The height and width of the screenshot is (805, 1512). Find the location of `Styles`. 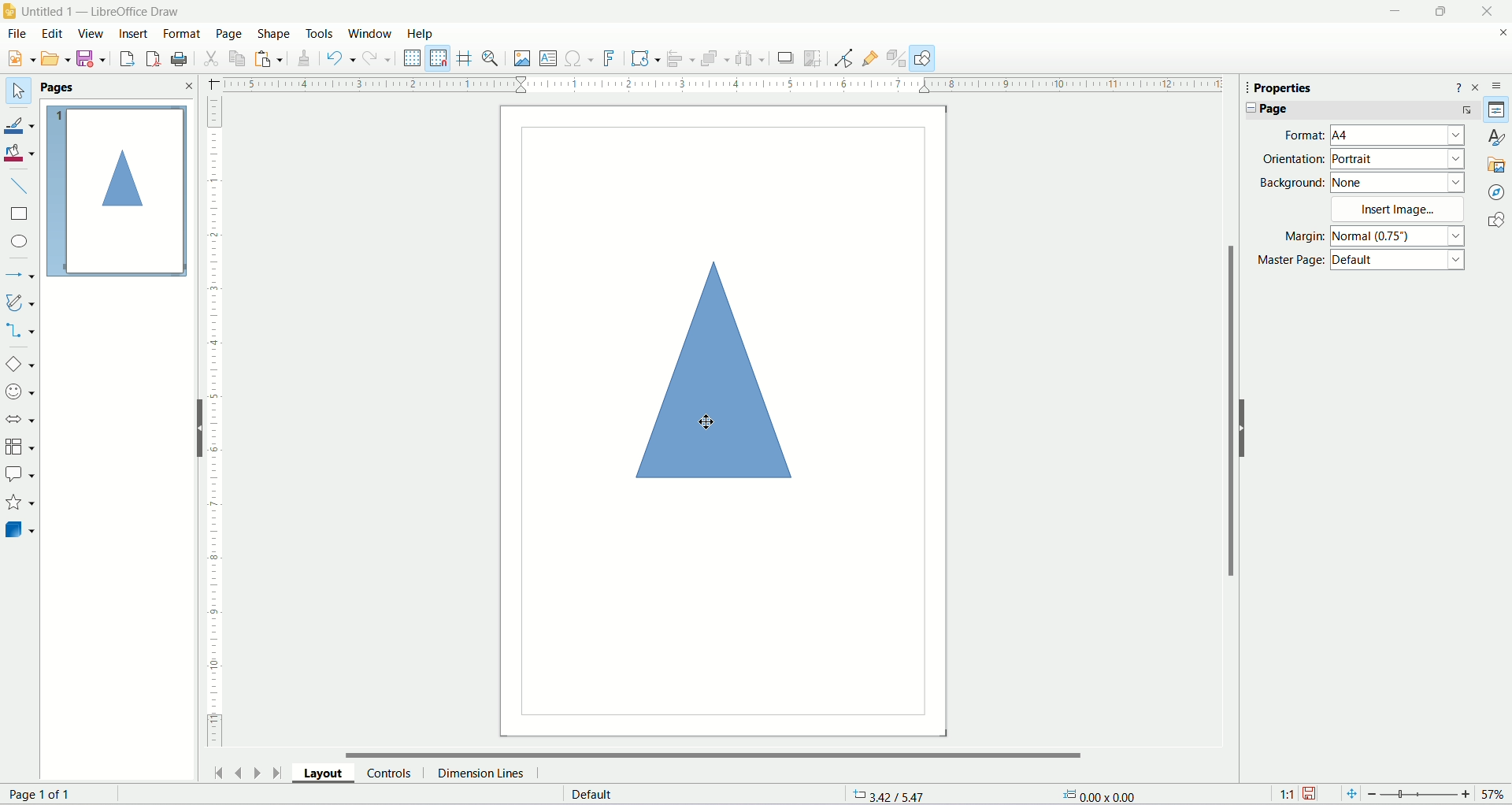

Styles is located at coordinates (1498, 138).